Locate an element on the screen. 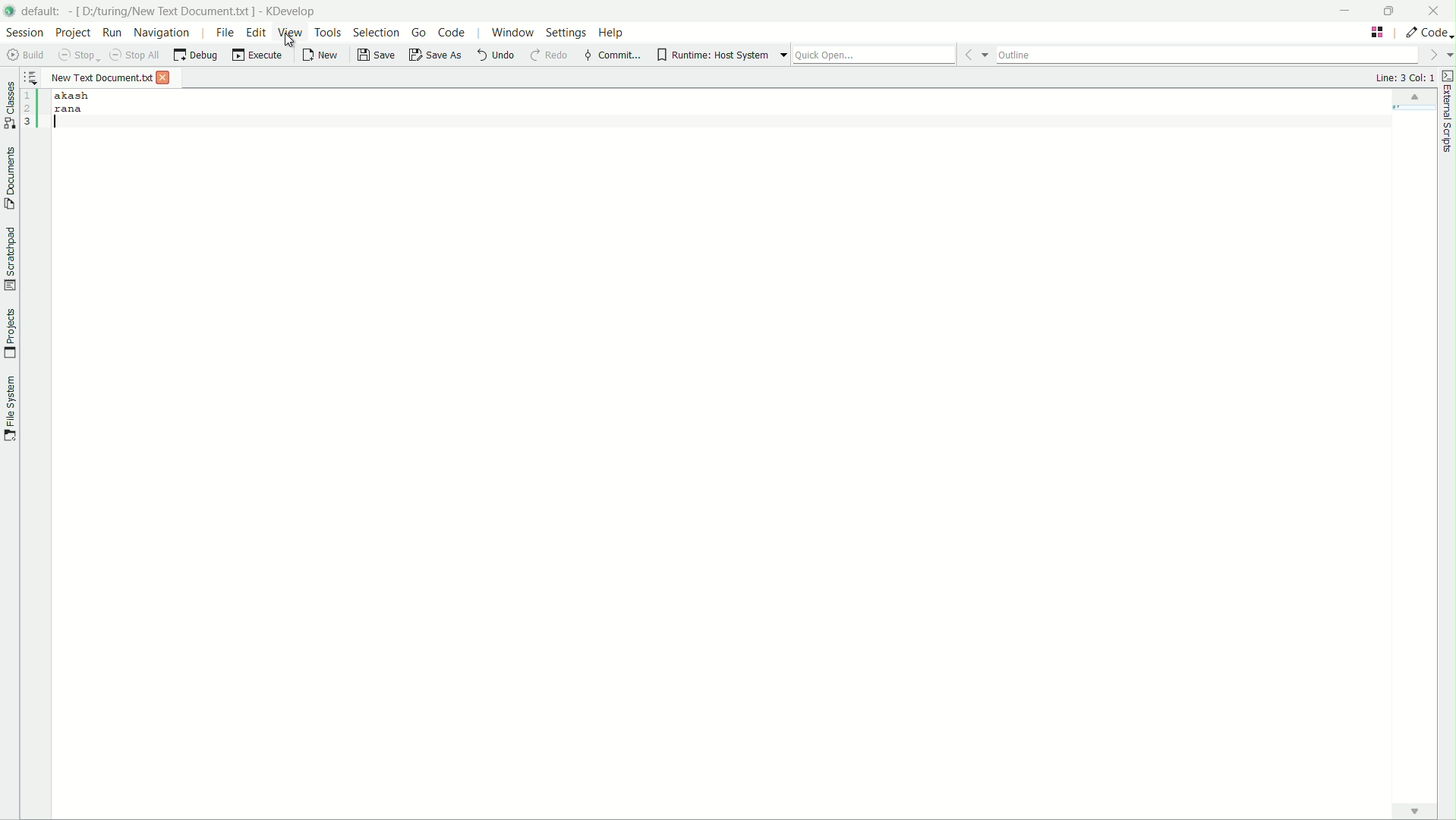 This screenshot has height=820, width=1456. toggle external scripts is located at coordinates (1447, 75).